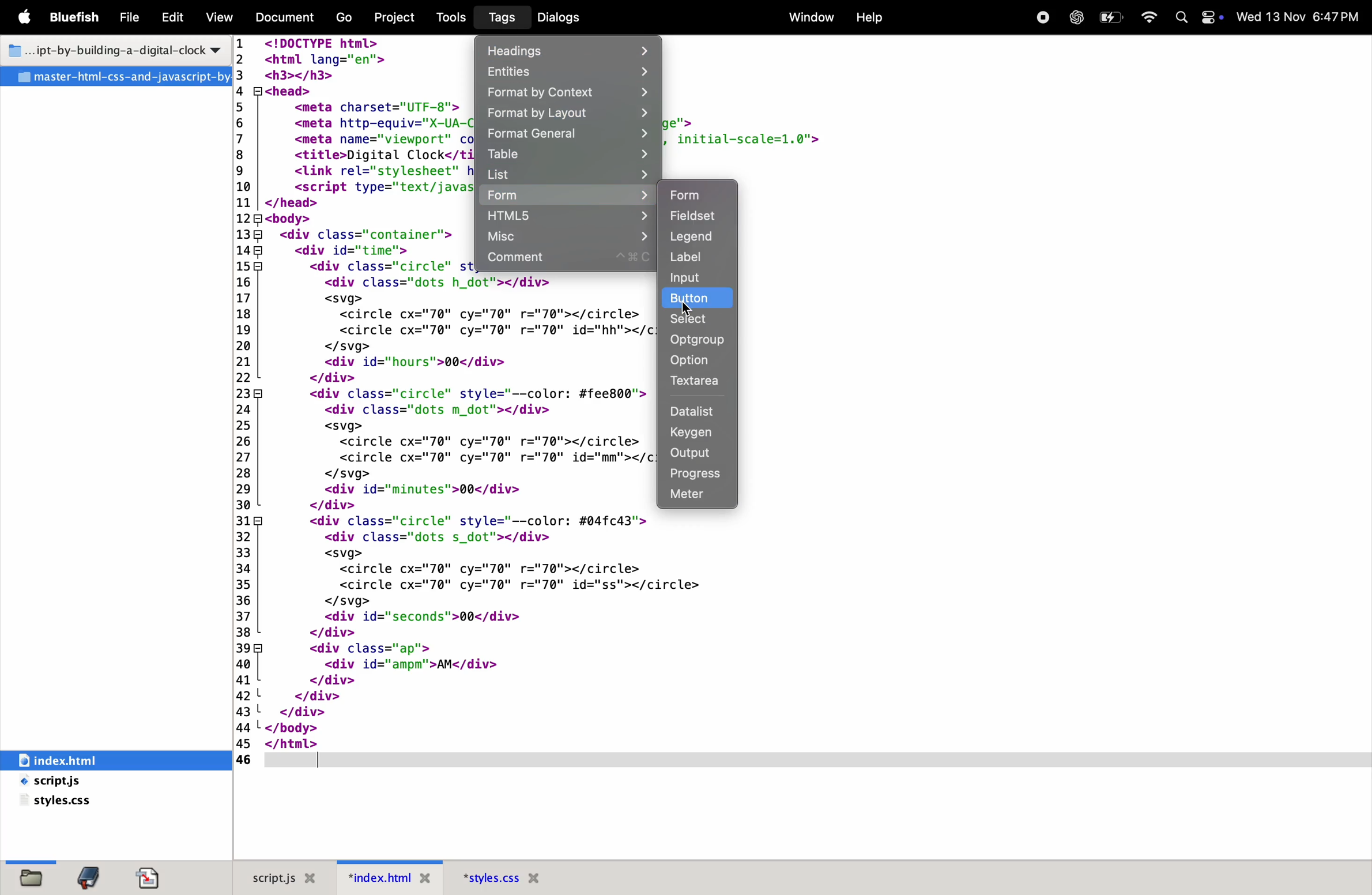  I want to click on format by layout, so click(568, 114).